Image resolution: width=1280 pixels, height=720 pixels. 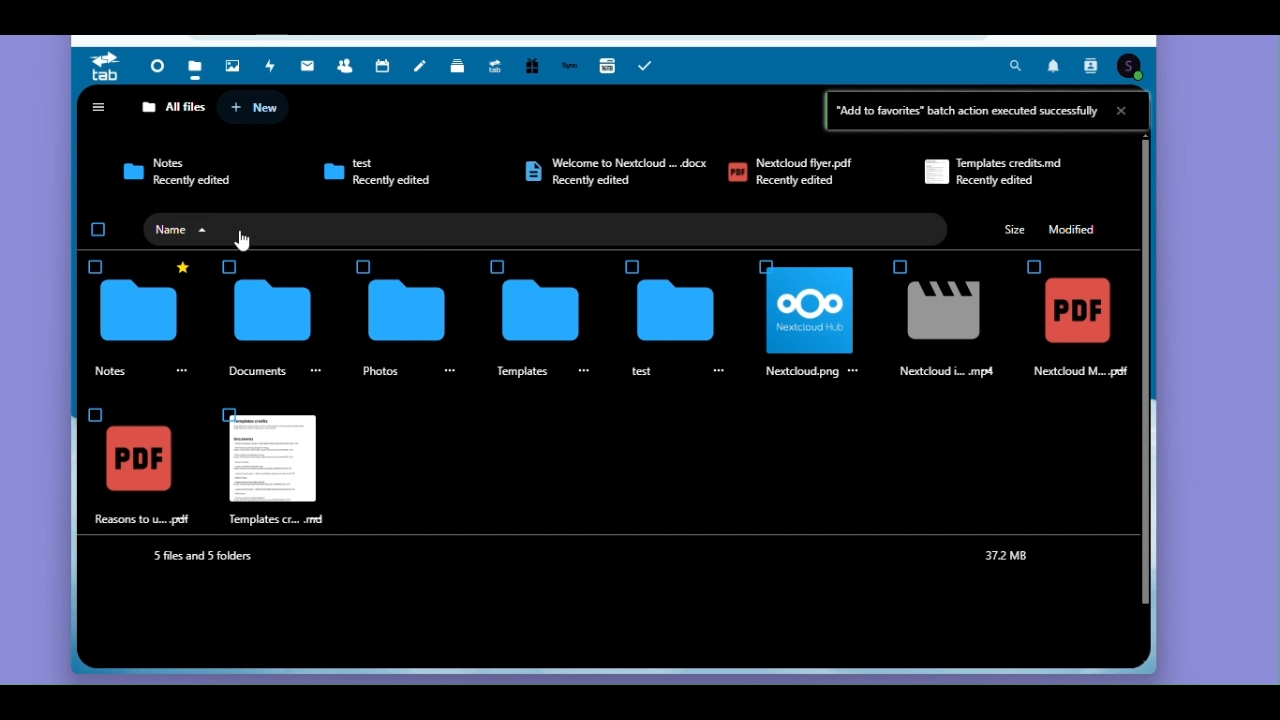 What do you see at coordinates (127, 372) in the screenshot?
I see `Notes` at bounding box center [127, 372].